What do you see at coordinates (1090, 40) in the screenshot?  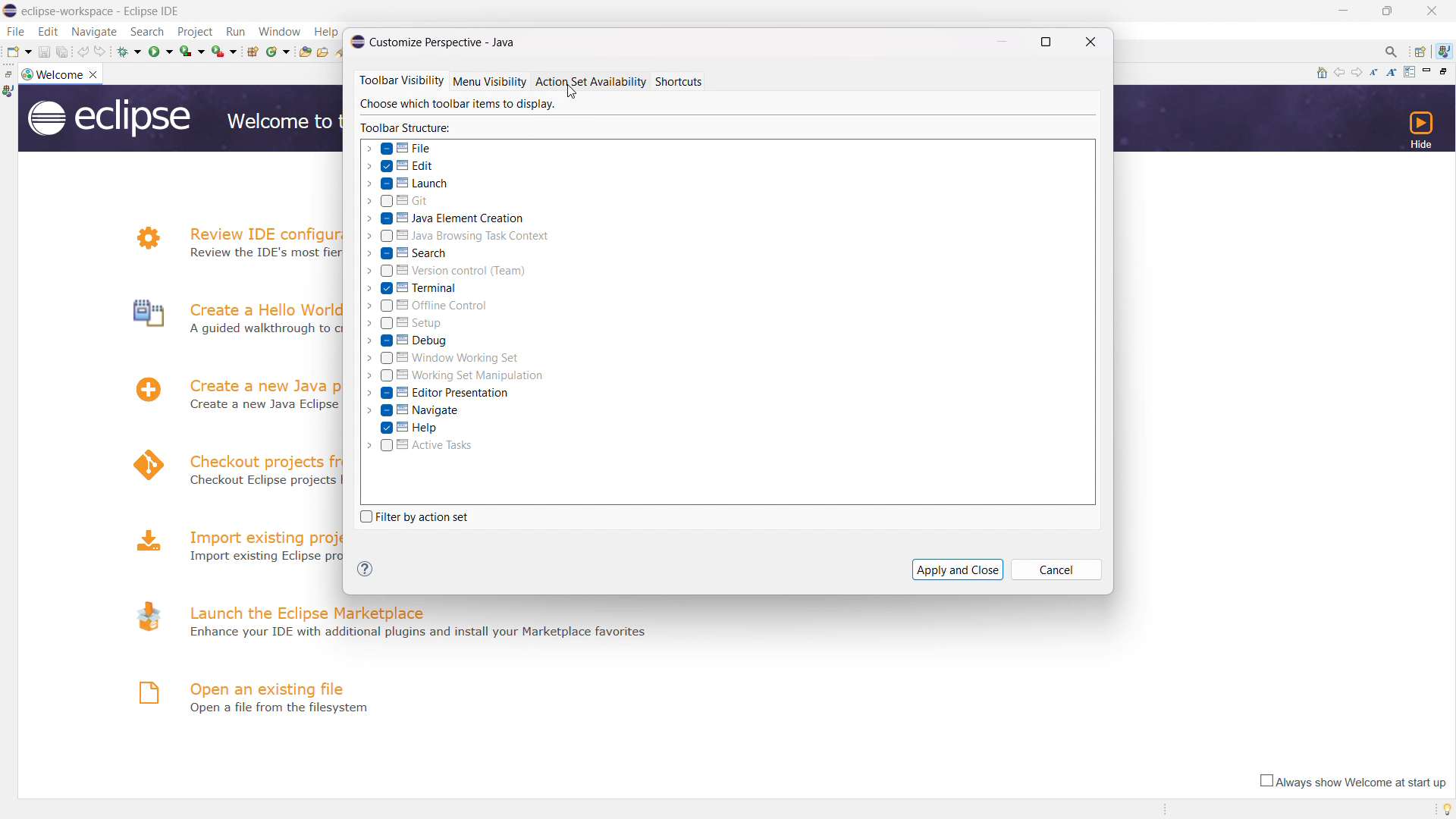 I see `close` at bounding box center [1090, 40].